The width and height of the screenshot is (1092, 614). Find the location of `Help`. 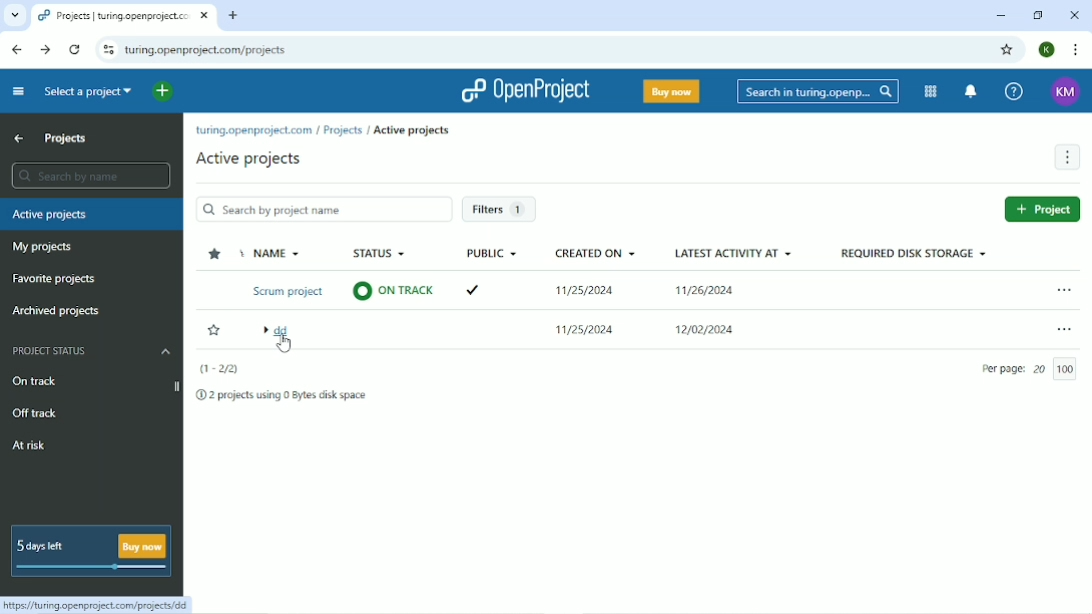

Help is located at coordinates (1013, 92).